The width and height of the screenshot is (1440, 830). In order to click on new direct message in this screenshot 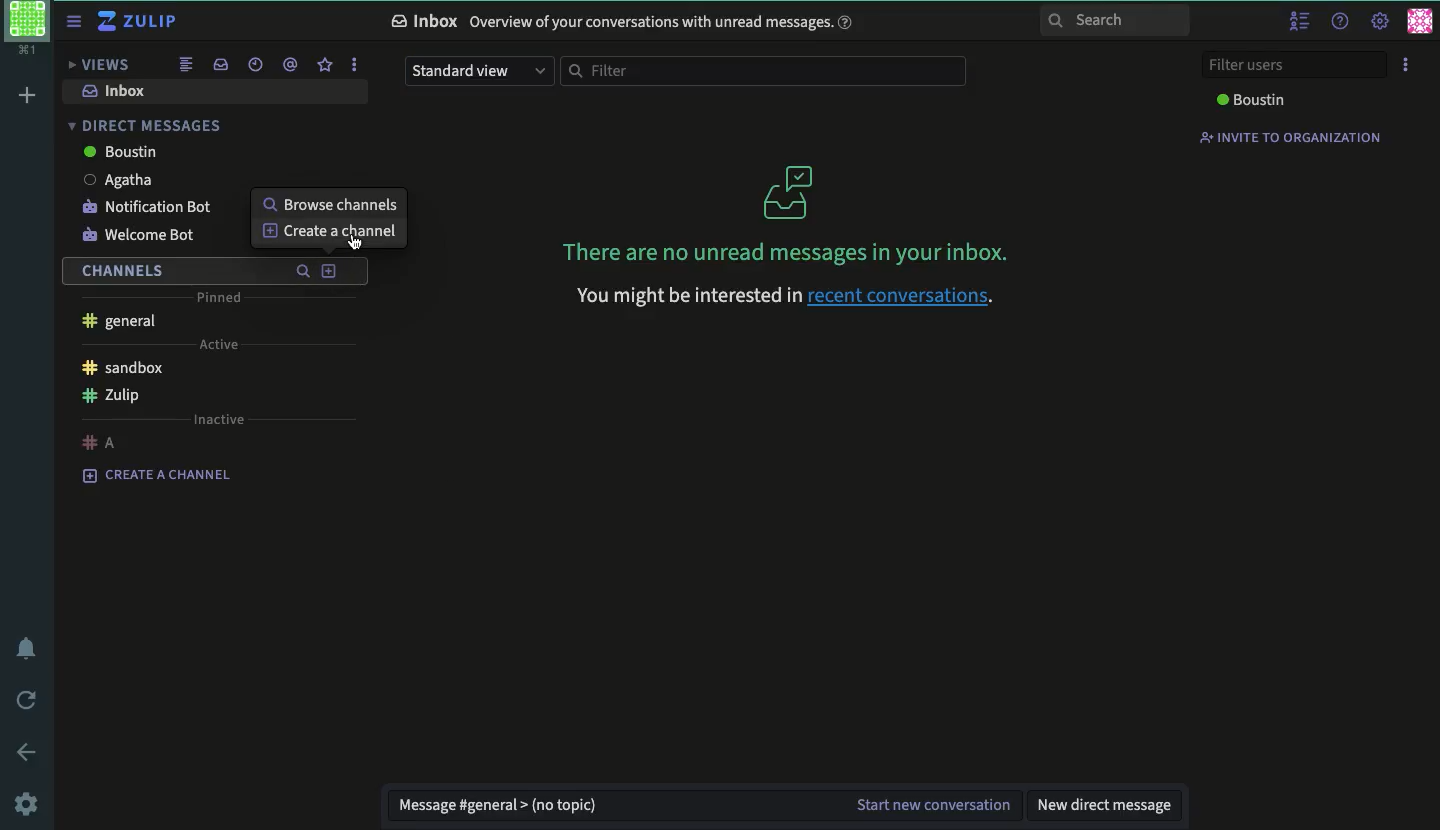, I will do `click(1106, 804)`.